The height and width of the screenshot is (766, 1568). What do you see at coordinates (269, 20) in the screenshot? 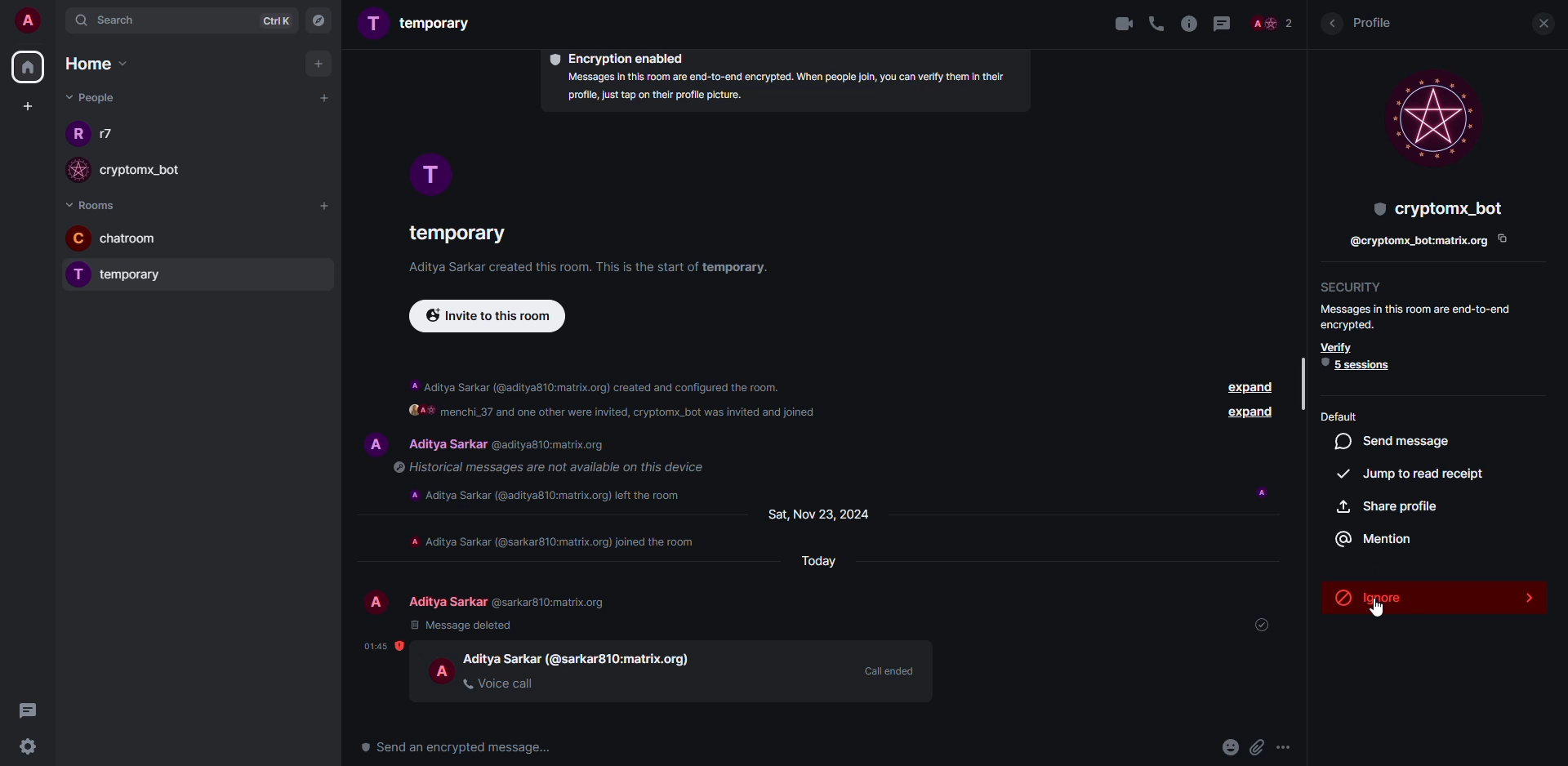
I see `ctrlK` at bounding box center [269, 20].